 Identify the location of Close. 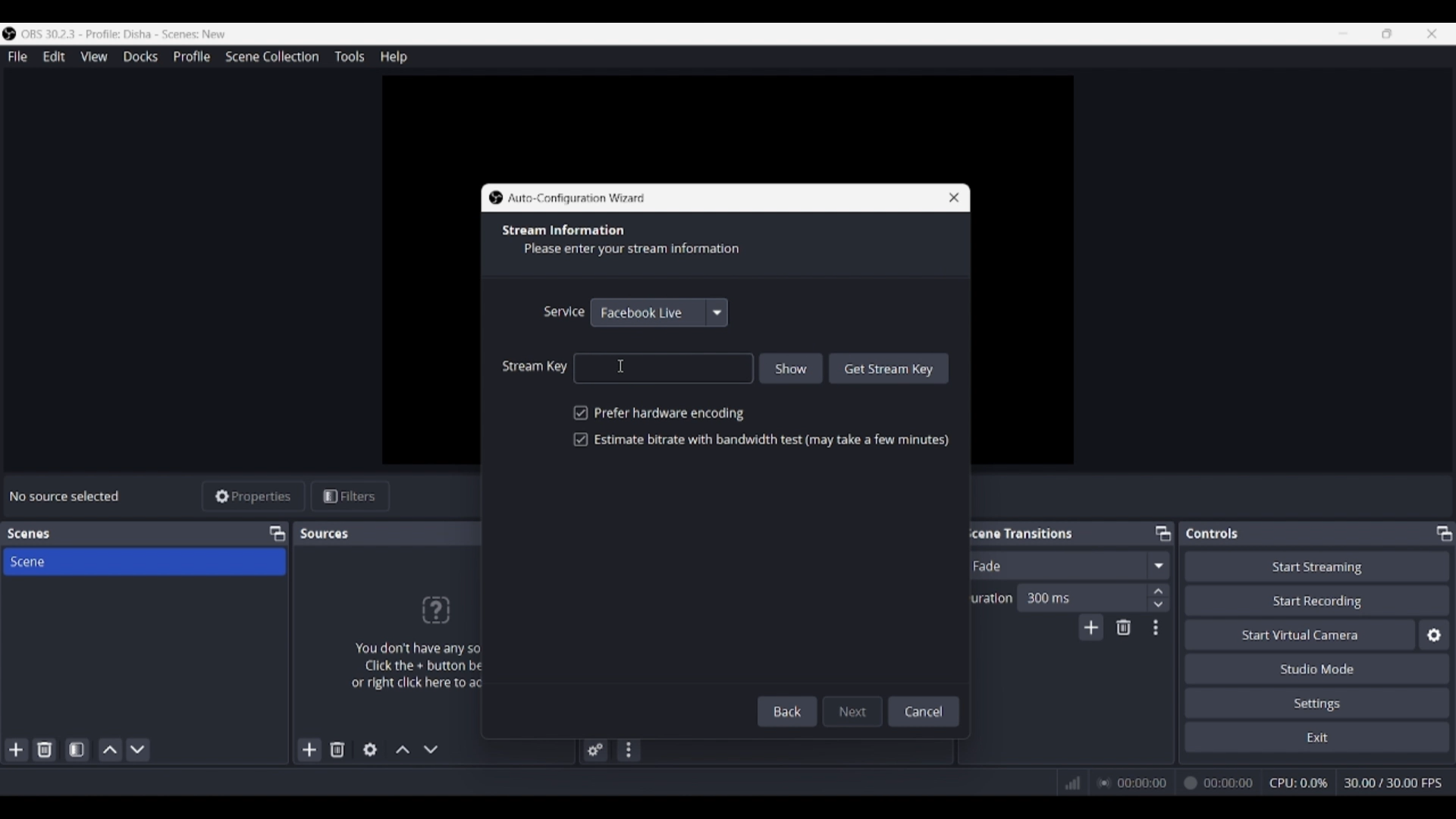
(948, 196).